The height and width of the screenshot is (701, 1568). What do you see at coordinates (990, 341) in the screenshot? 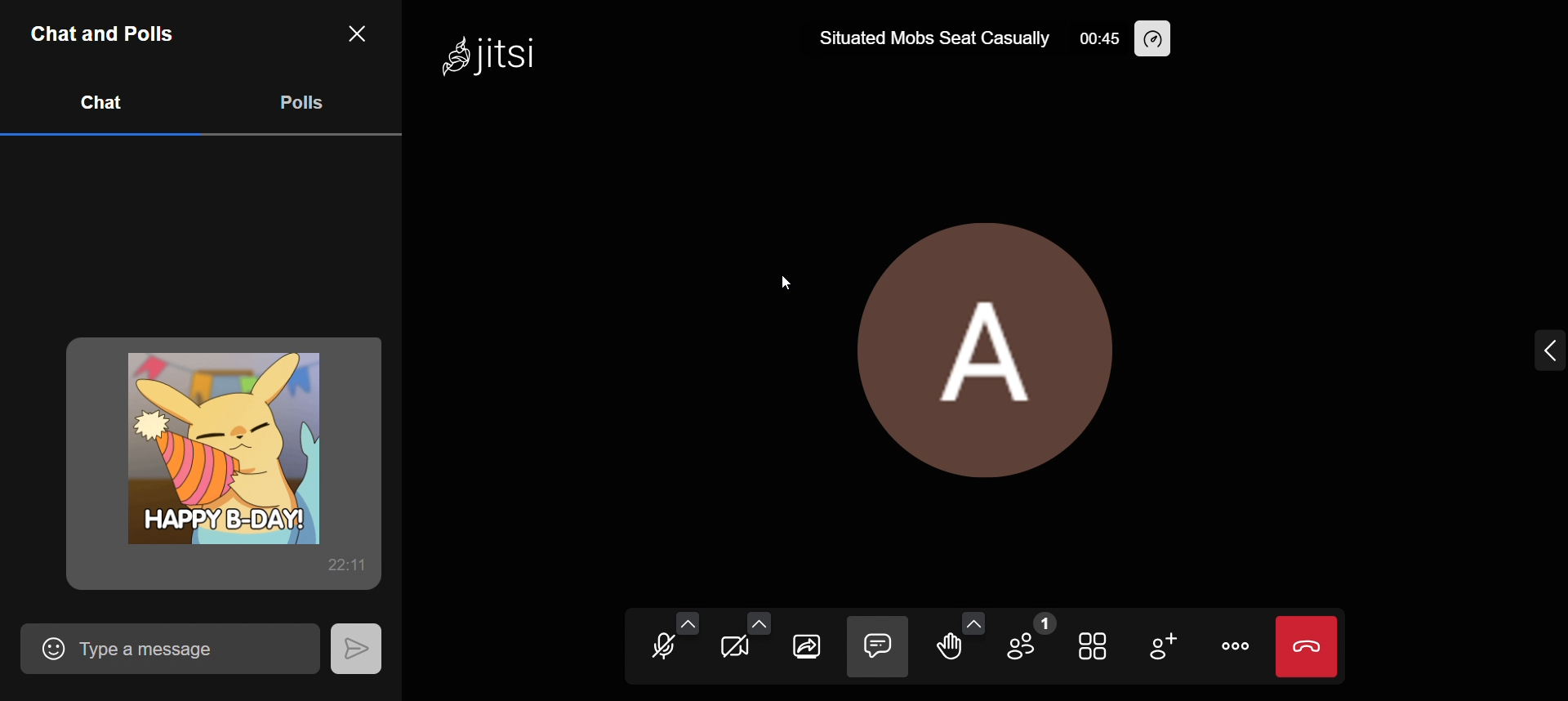
I see `profile picture` at bounding box center [990, 341].